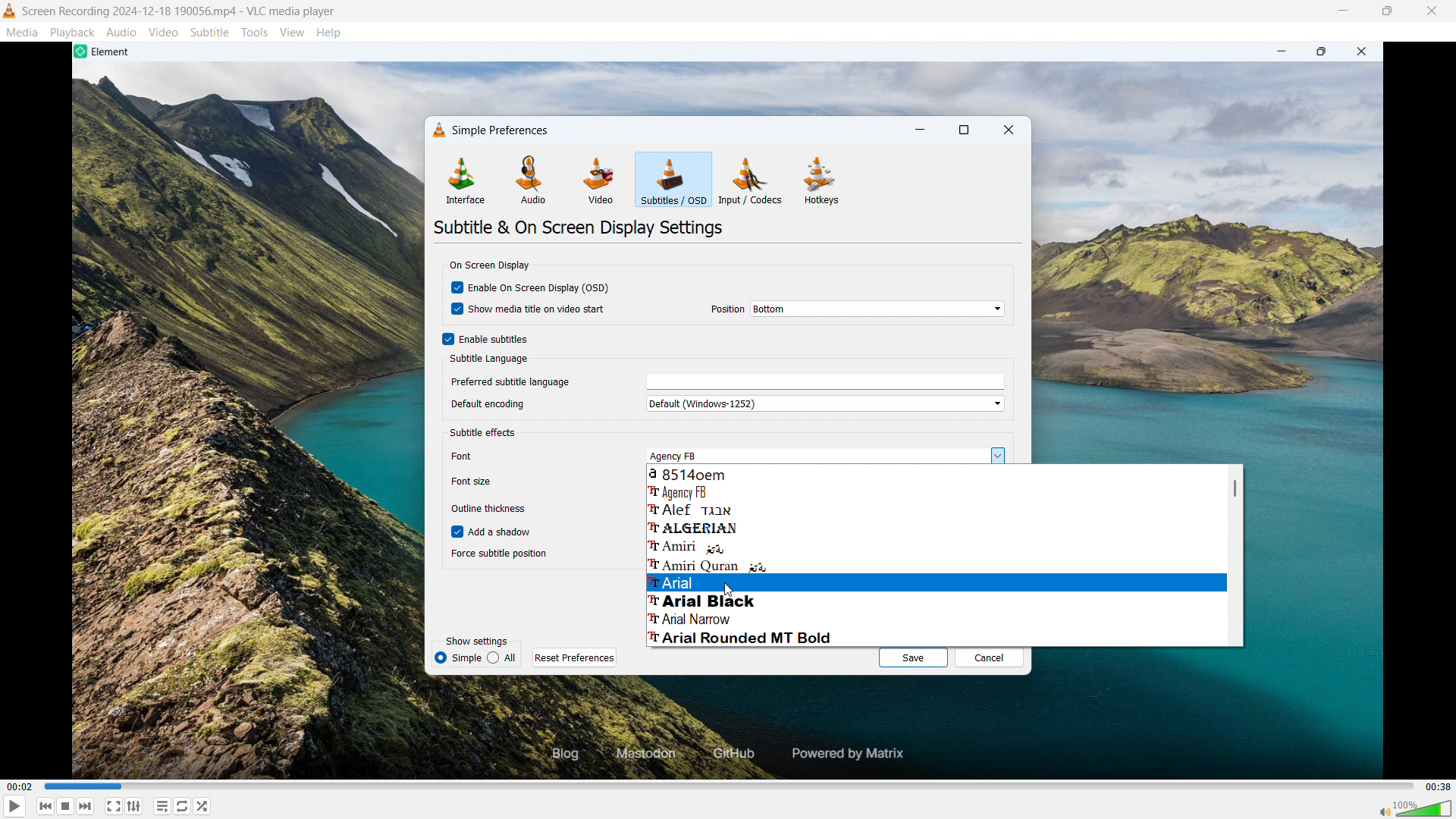  Describe the element at coordinates (293, 33) in the screenshot. I see `view` at that location.